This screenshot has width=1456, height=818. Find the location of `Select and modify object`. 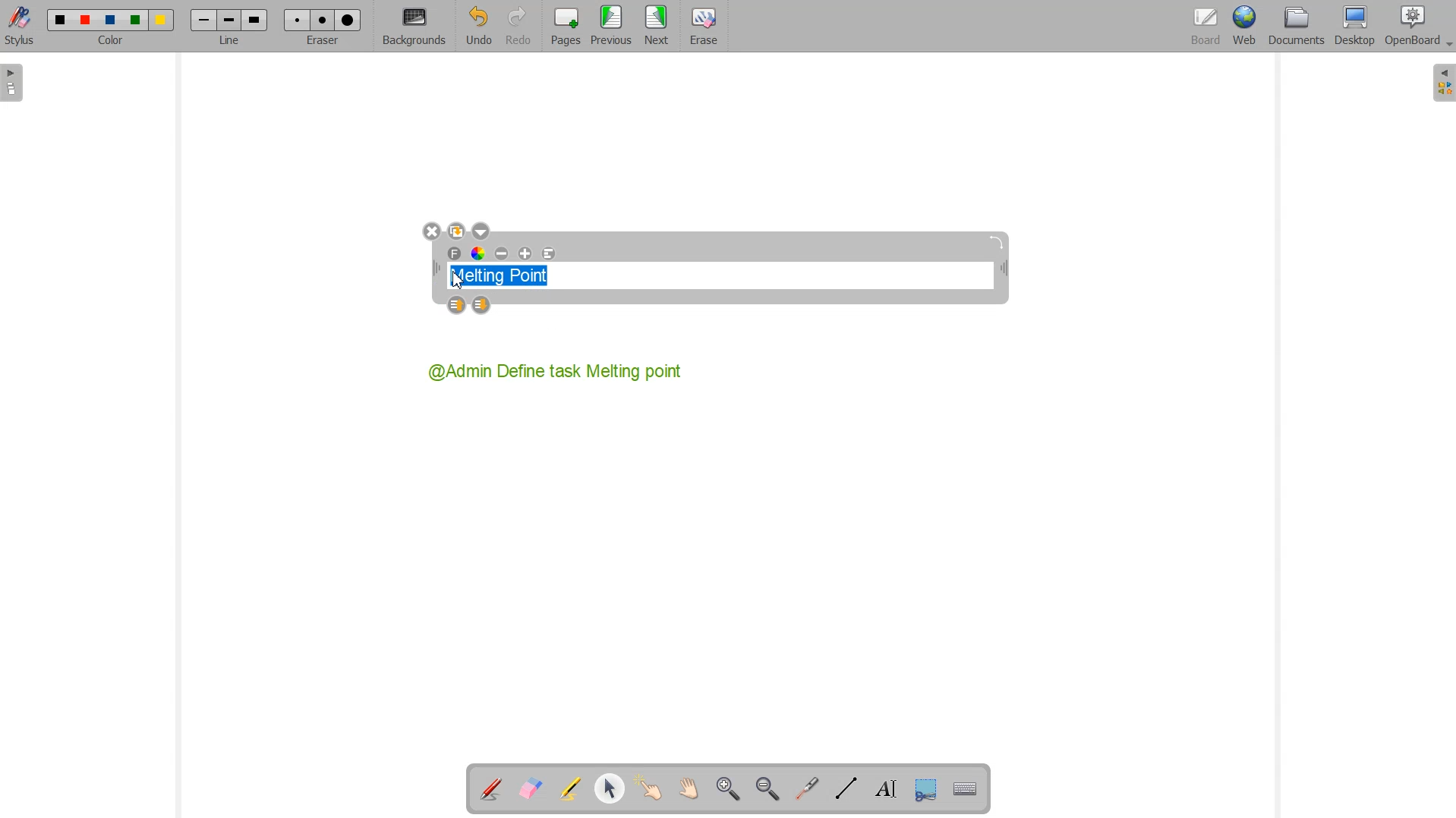

Select and modify object is located at coordinates (610, 789).